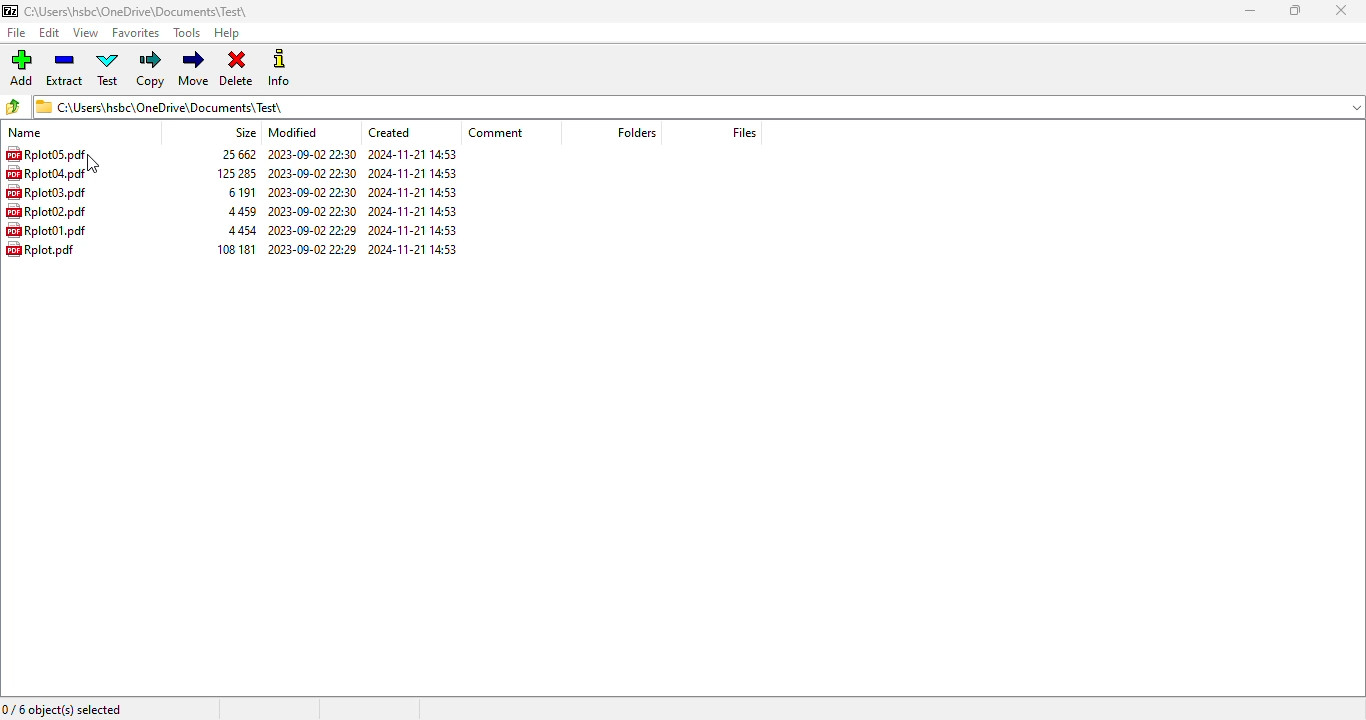 This screenshot has height=720, width=1366. Describe the element at coordinates (86, 32) in the screenshot. I see `view` at that location.